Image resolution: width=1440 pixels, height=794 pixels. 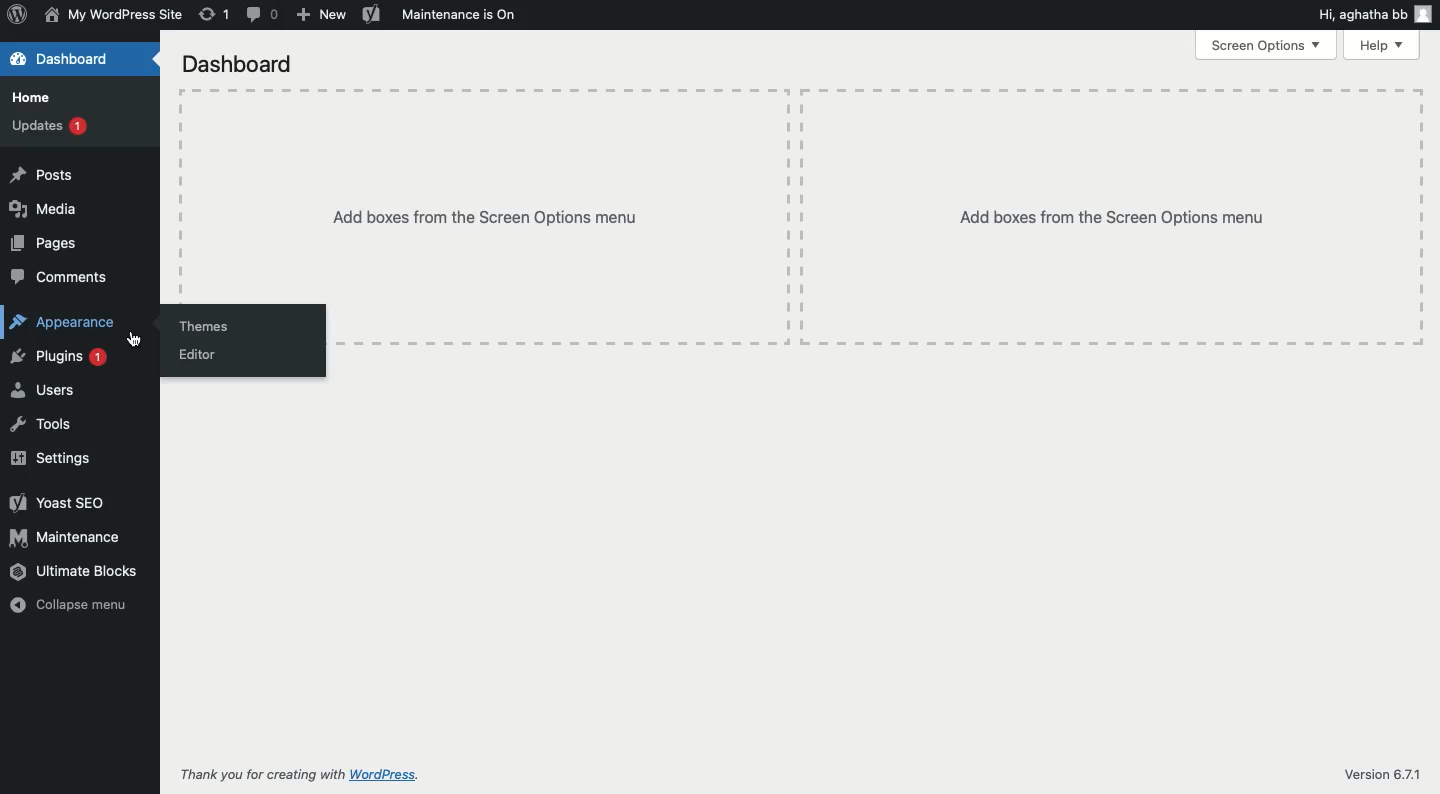 I want to click on Editor, so click(x=200, y=354).